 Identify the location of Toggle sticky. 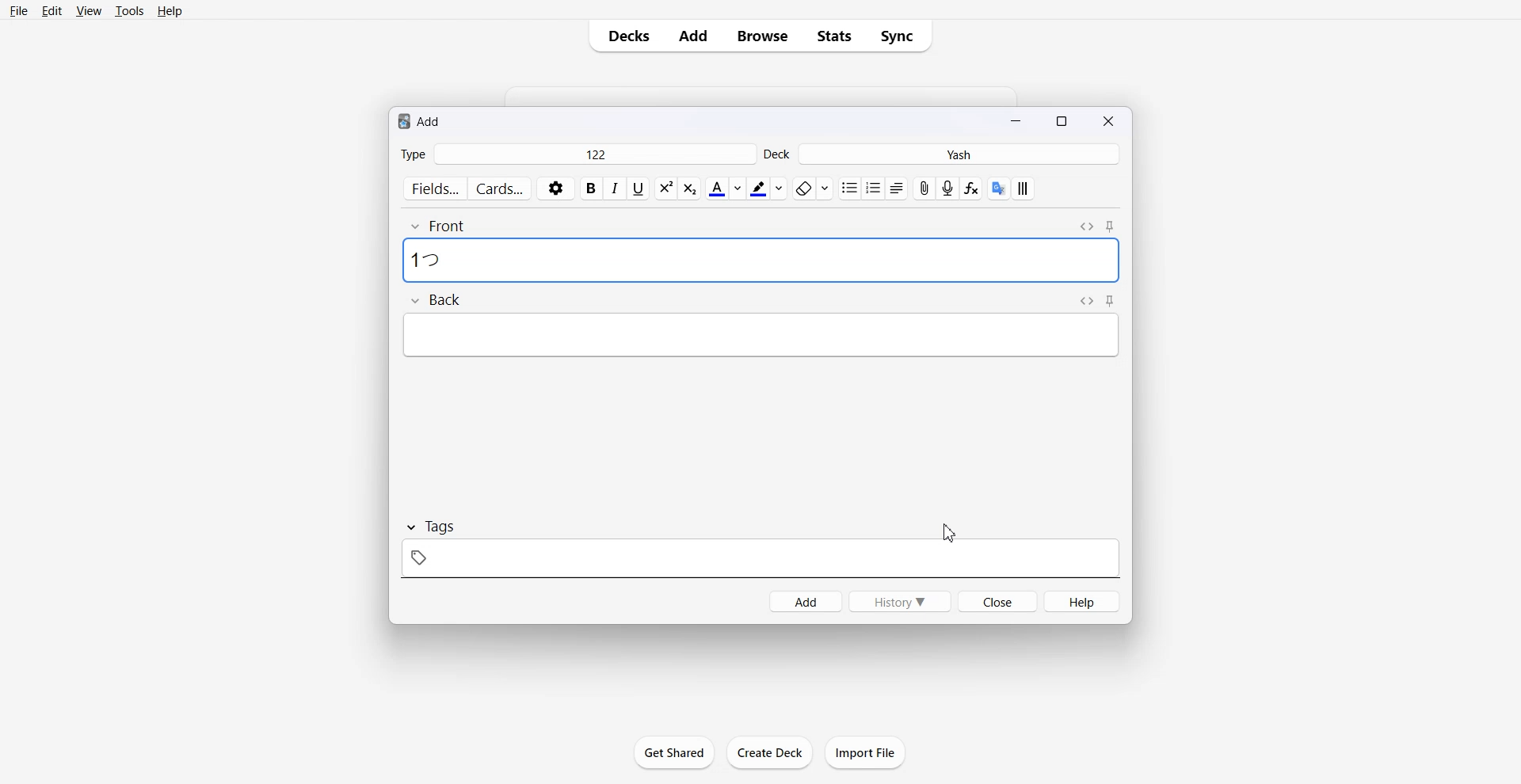
(1111, 227).